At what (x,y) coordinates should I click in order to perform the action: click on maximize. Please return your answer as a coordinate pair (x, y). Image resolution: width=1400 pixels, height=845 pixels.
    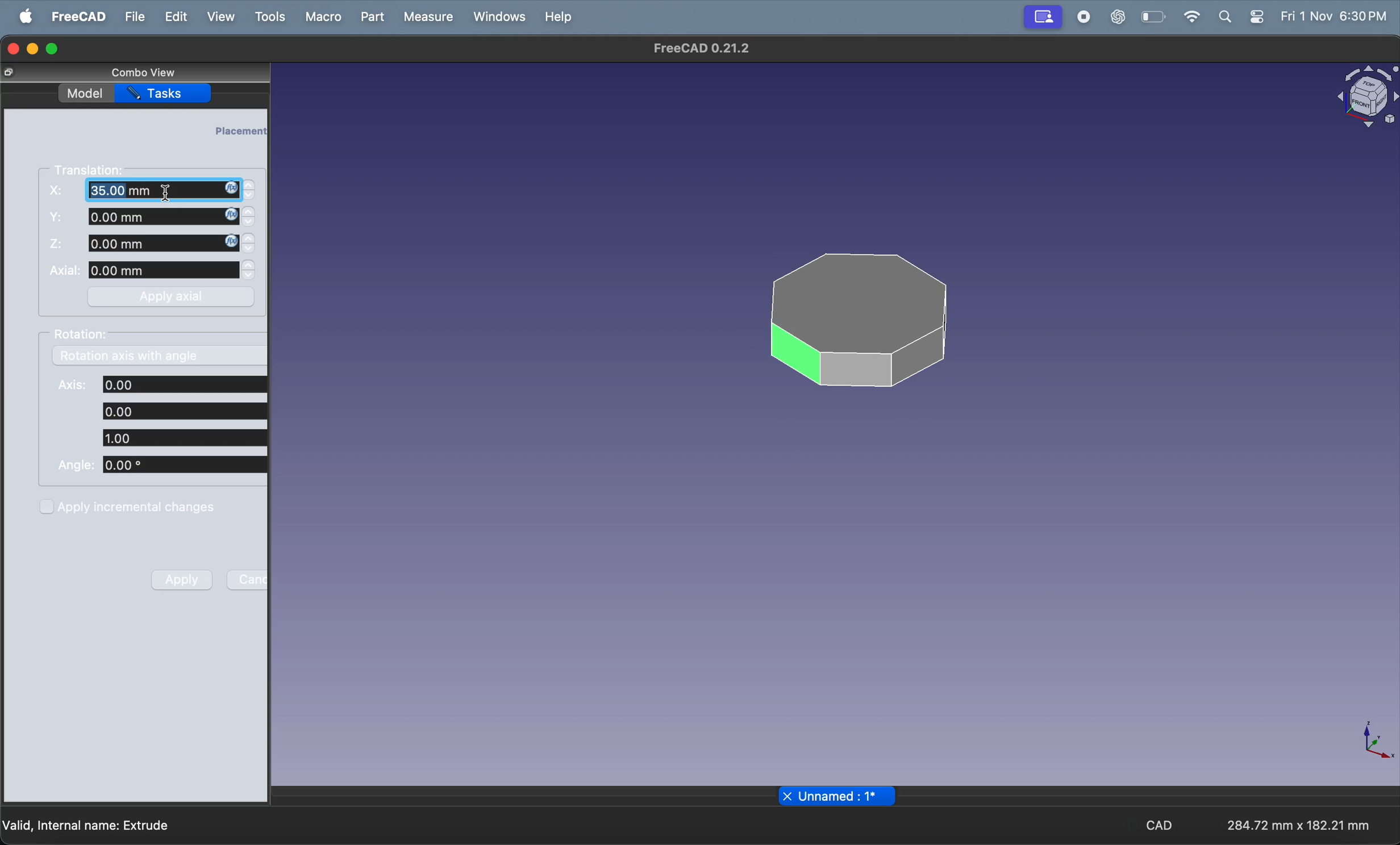
    Looking at the image, I should click on (57, 47).